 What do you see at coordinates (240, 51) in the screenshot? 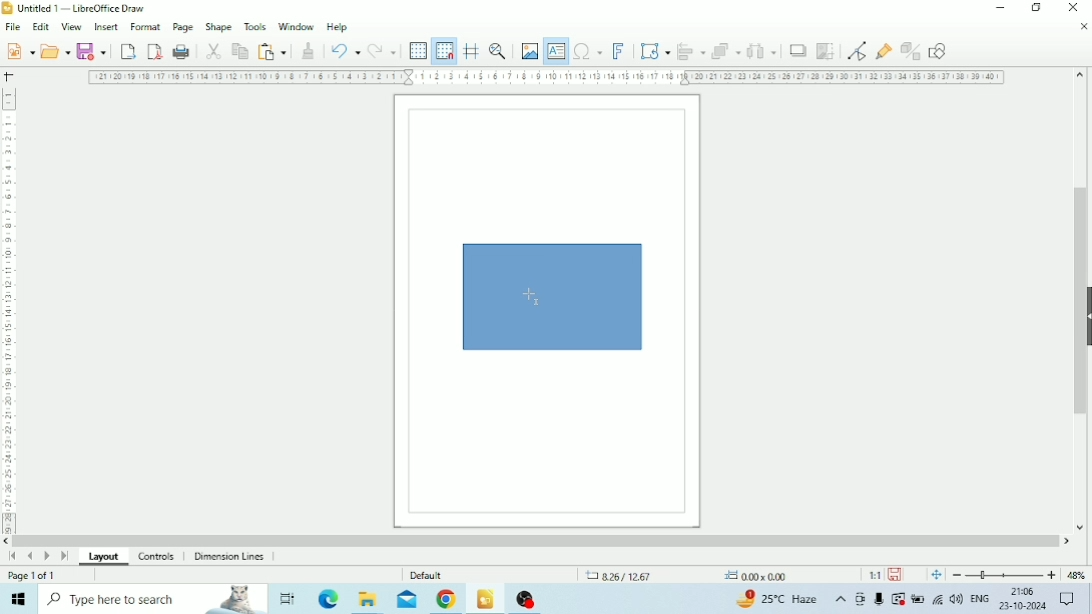
I see `Copy` at bounding box center [240, 51].